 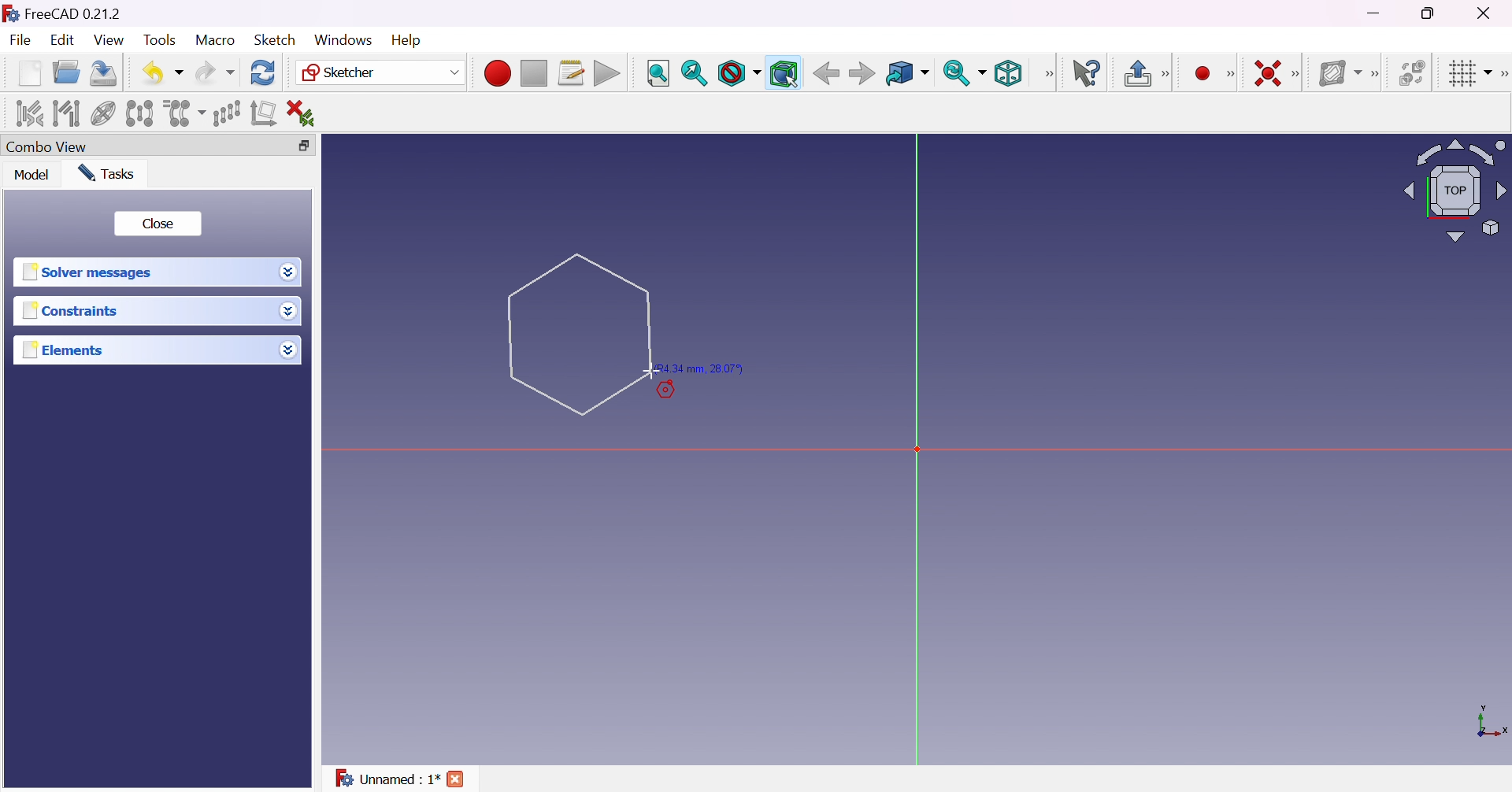 I want to click on Unnamed : 1*, so click(x=387, y=779).